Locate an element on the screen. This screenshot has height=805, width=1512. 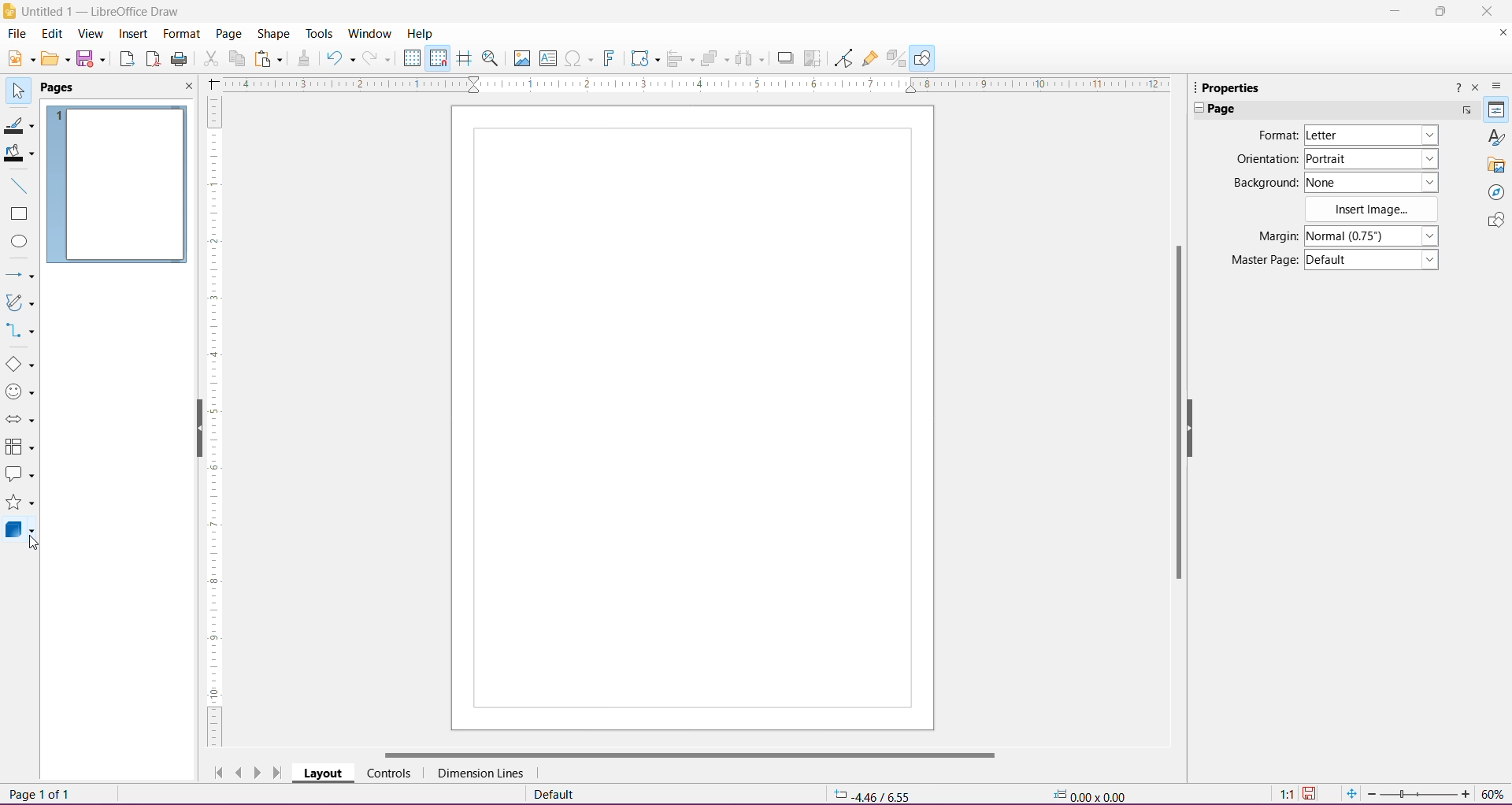
Minimize is located at coordinates (1393, 9).